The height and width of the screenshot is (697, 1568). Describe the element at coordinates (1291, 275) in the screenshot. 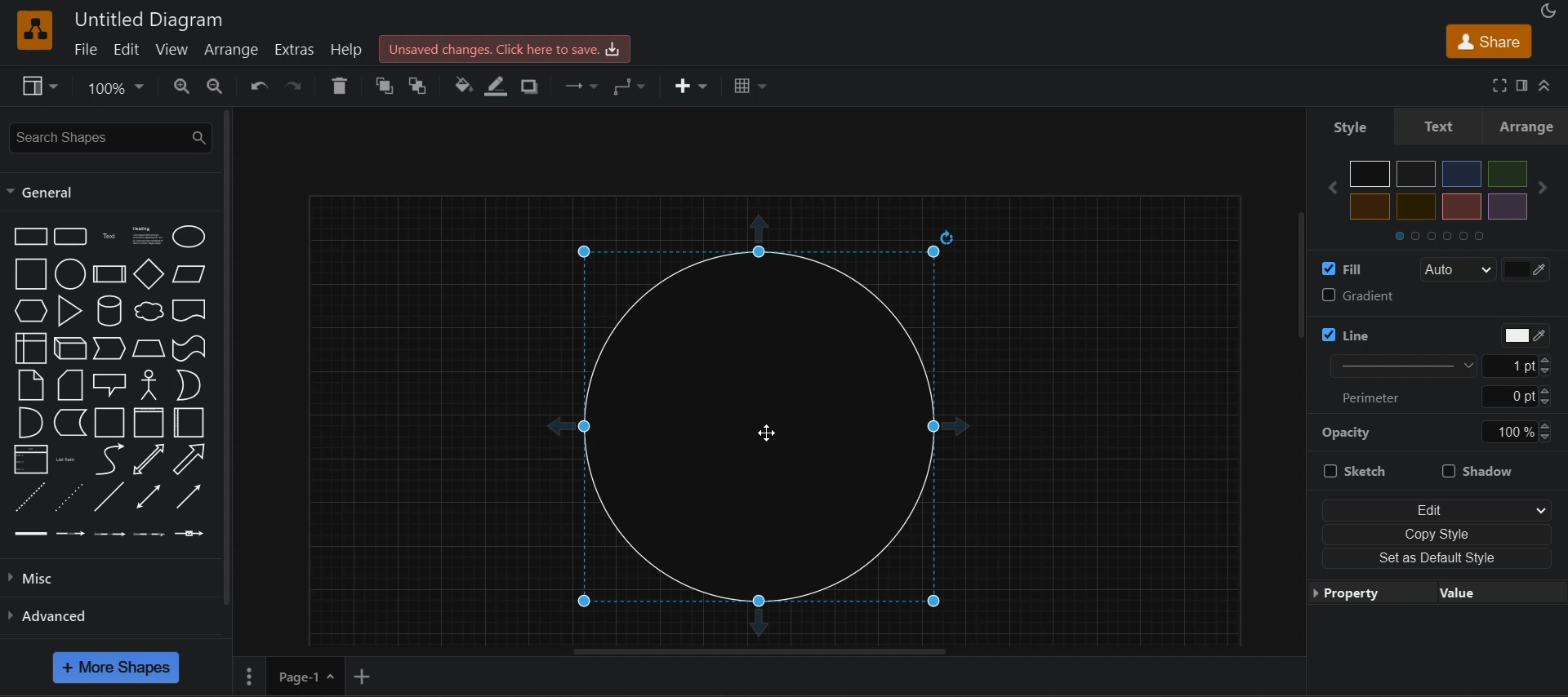

I see `vertical scroll bar` at that location.